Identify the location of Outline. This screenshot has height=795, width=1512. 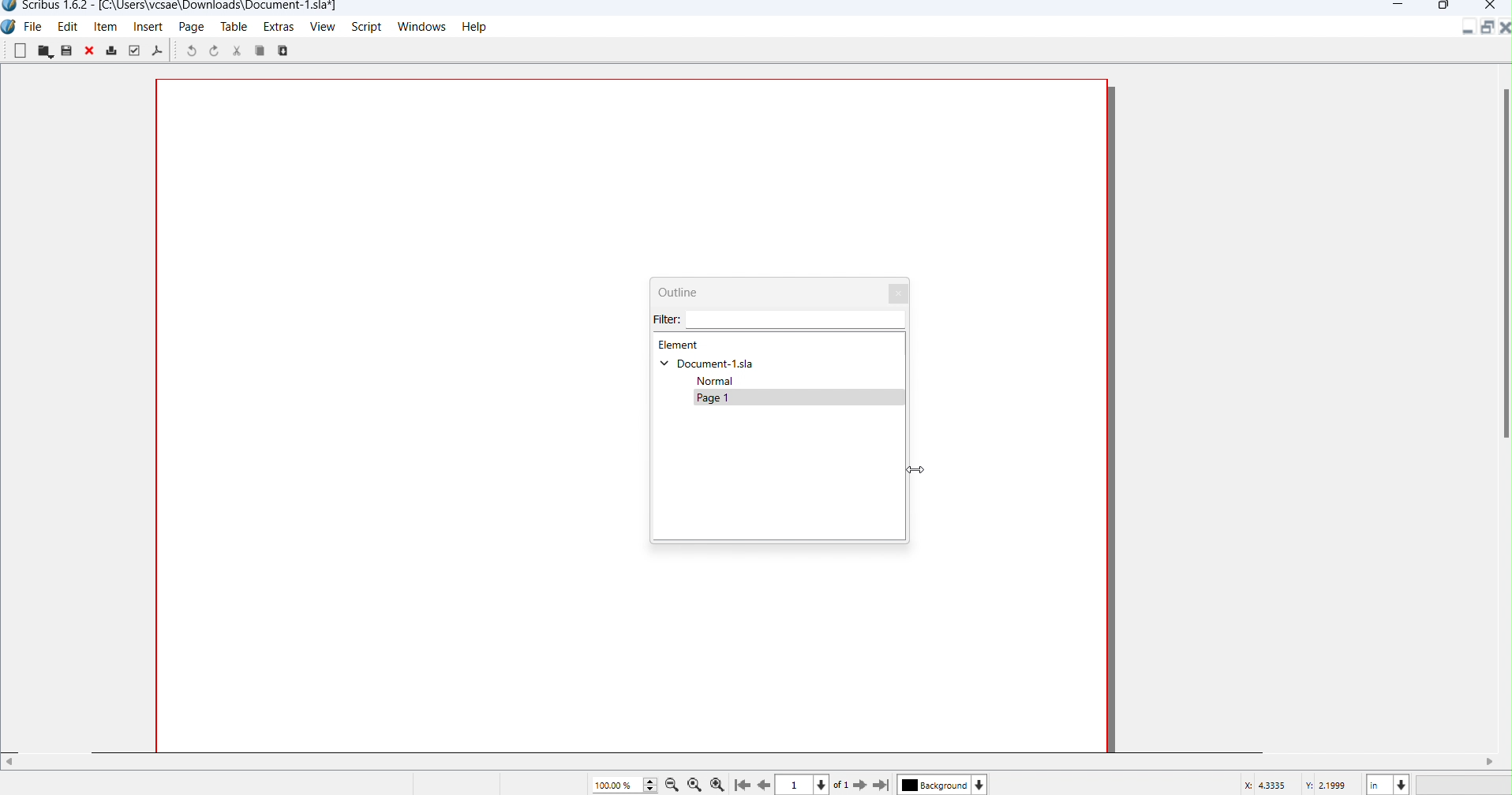
(694, 294).